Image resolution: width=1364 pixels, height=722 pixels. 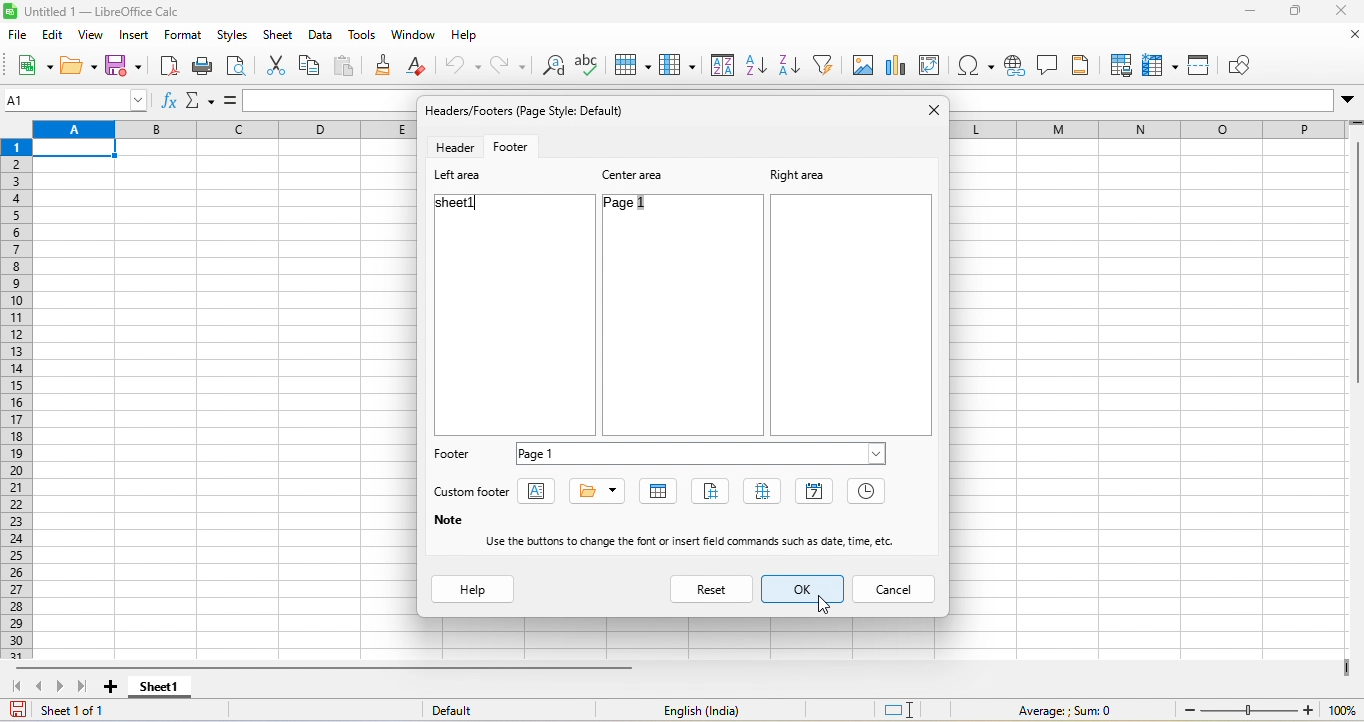 I want to click on view, so click(x=90, y=37).